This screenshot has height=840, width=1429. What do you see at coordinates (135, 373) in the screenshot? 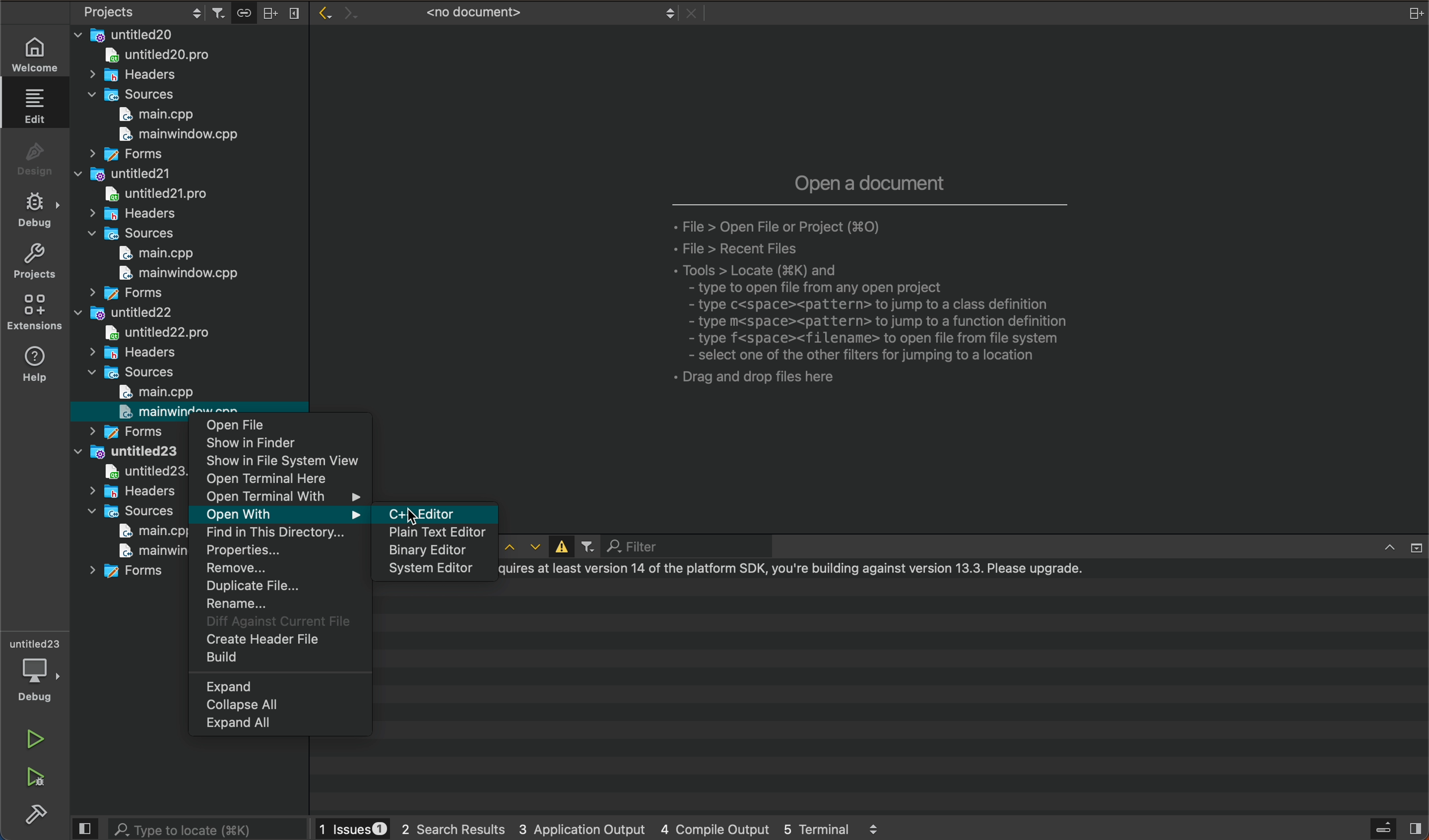
I see `sources` at bounding box center [135, 373].